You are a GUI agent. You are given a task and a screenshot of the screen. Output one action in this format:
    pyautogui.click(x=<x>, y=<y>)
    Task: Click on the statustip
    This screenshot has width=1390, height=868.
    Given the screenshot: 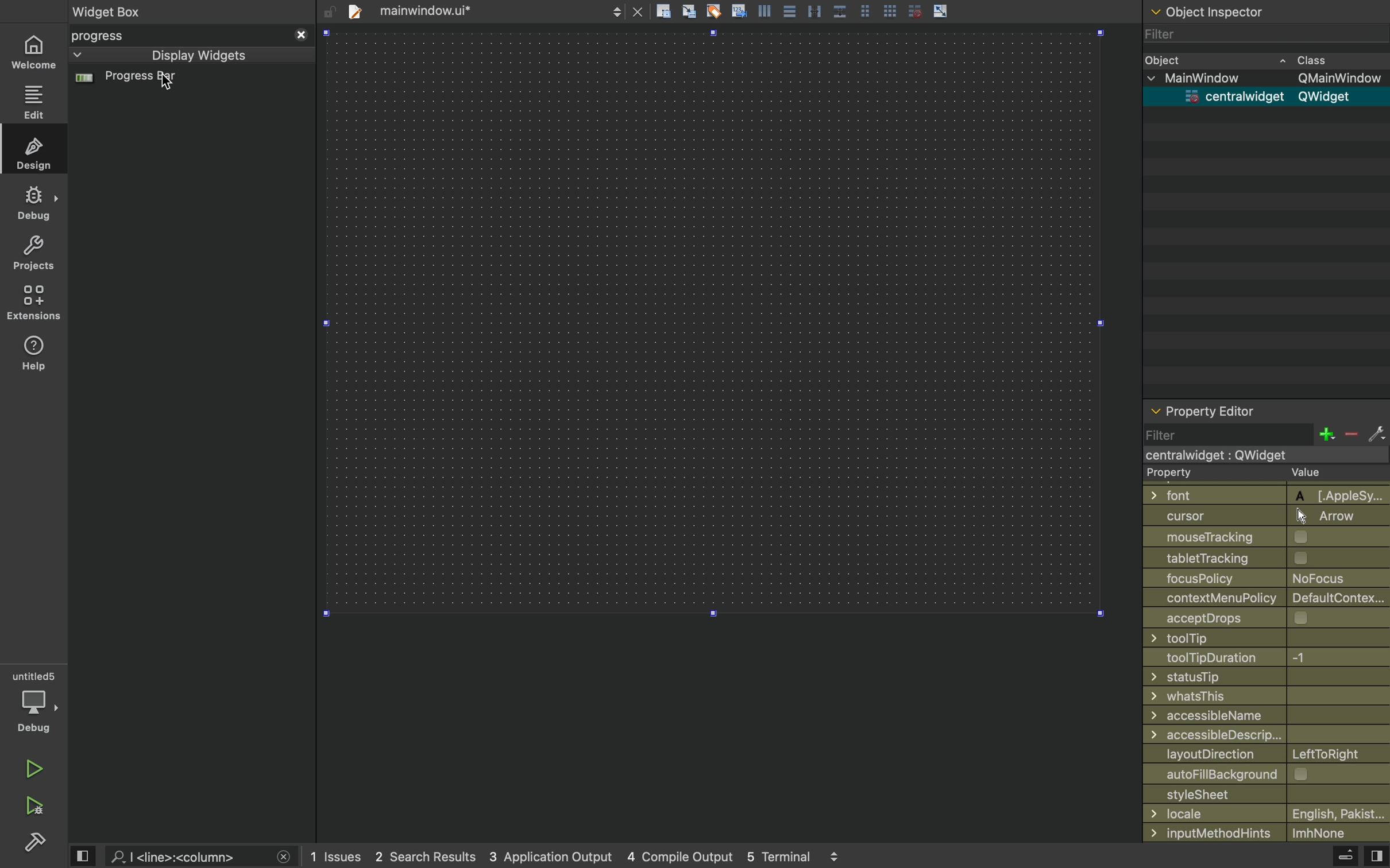 What is the action you would take?
    pyautogui.click(x=1262, y=676)
    